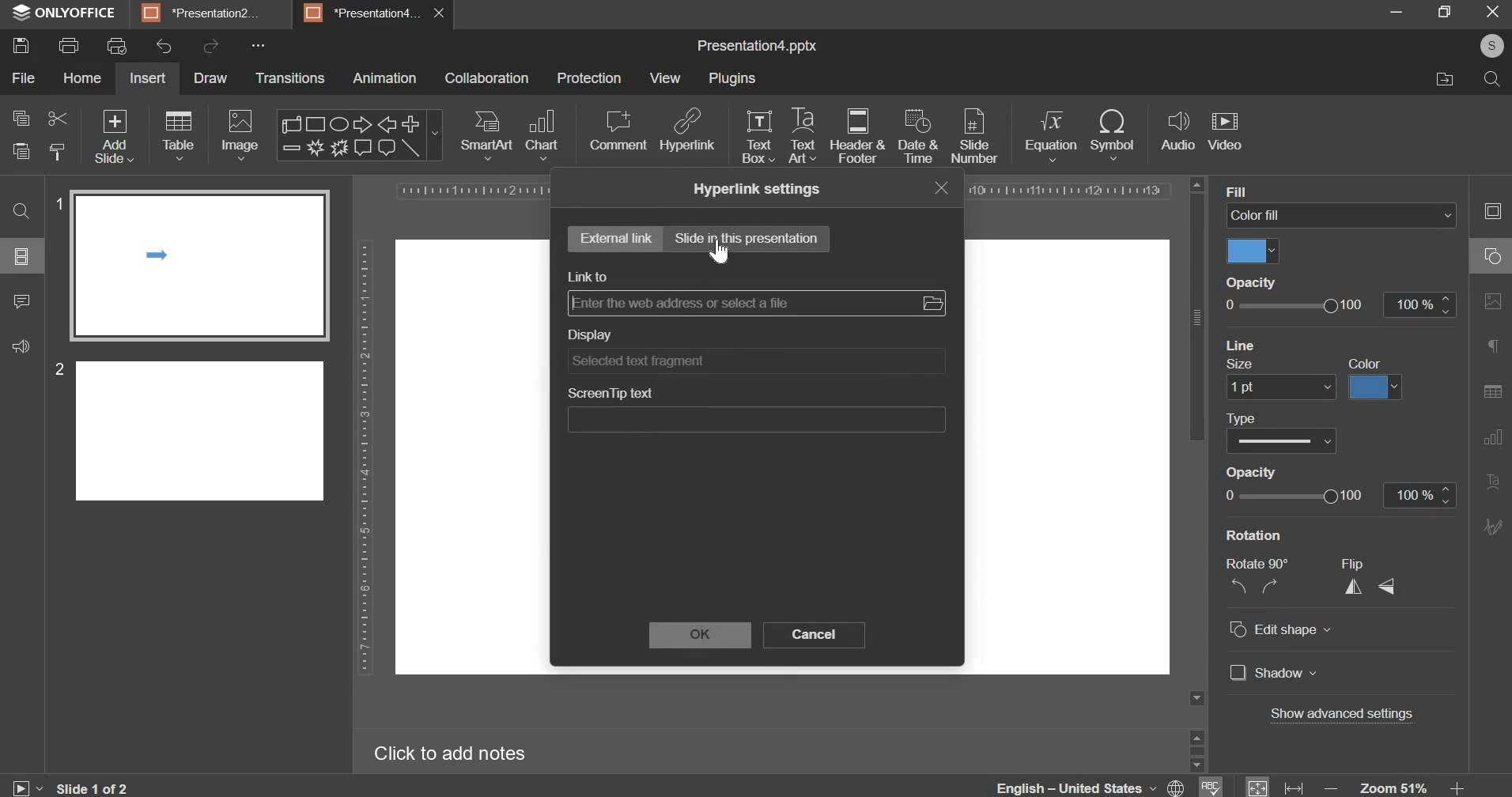 This screenshot has height=797, width=1512. Describe the element at coordinates (1236, 282) in the screenshot. I see `` at that location.